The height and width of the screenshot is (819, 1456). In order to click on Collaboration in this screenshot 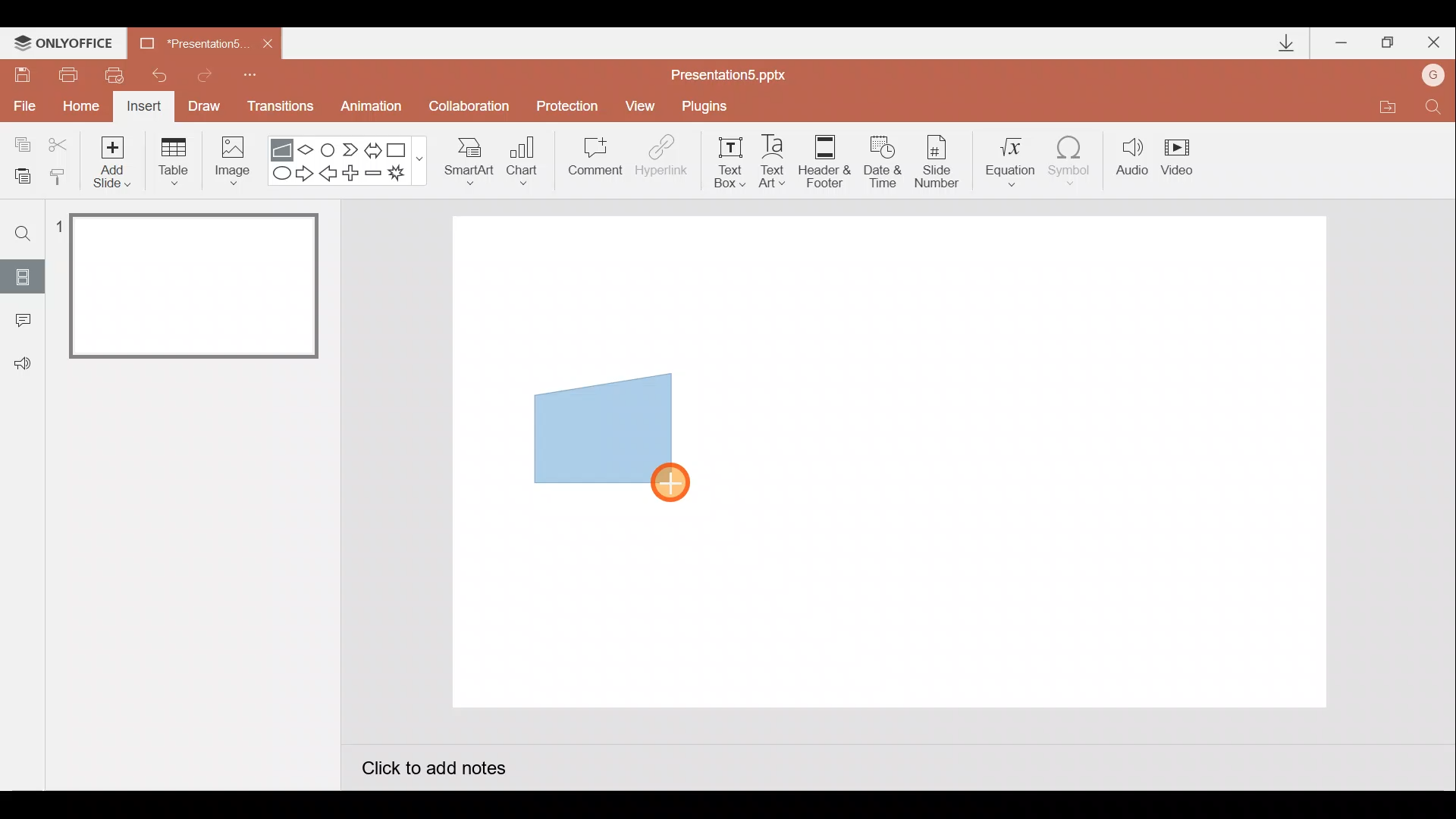, I will do `click(472, 108)`.